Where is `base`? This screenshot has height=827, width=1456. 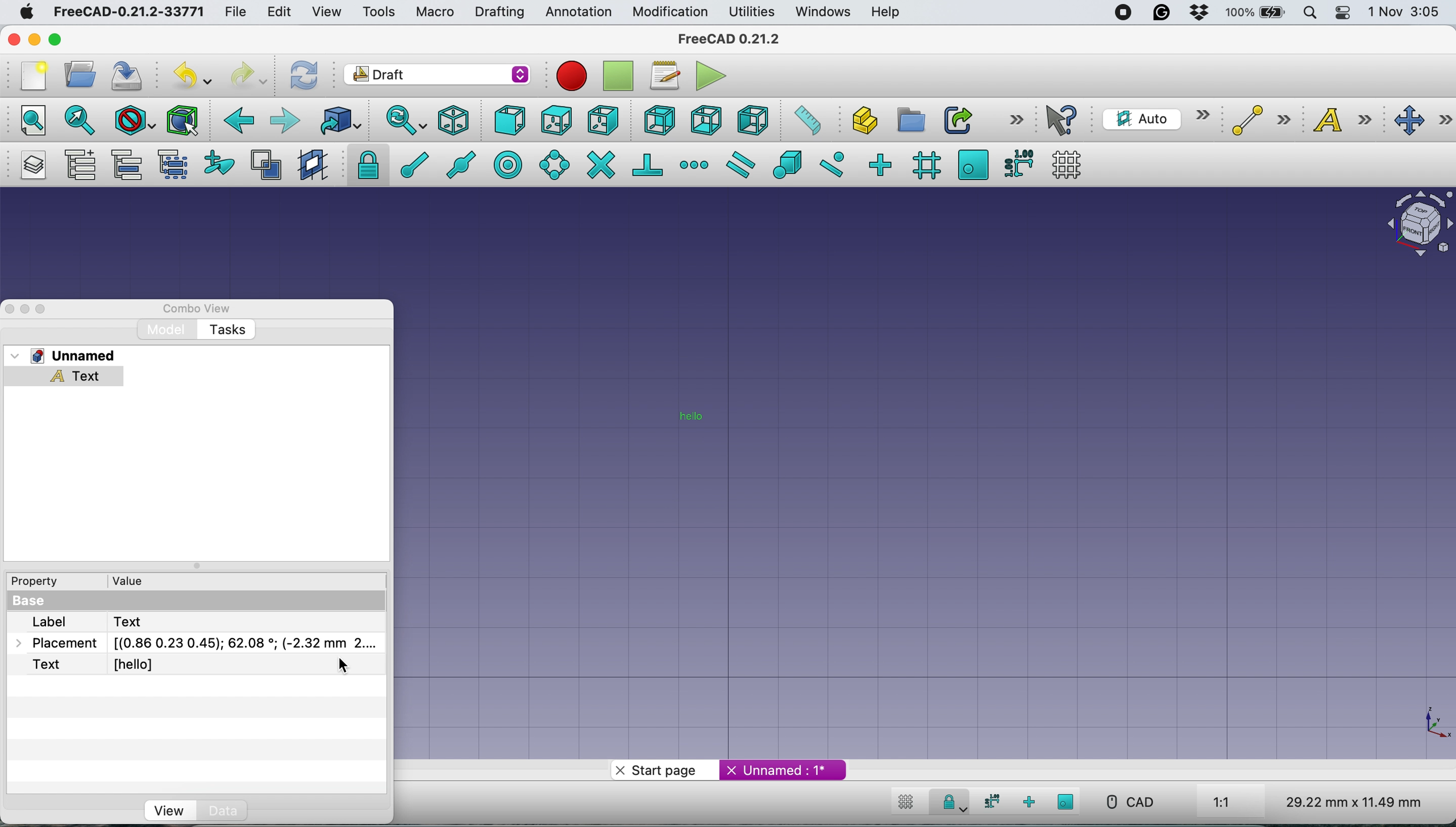 base is located at coordinates (33, 603).